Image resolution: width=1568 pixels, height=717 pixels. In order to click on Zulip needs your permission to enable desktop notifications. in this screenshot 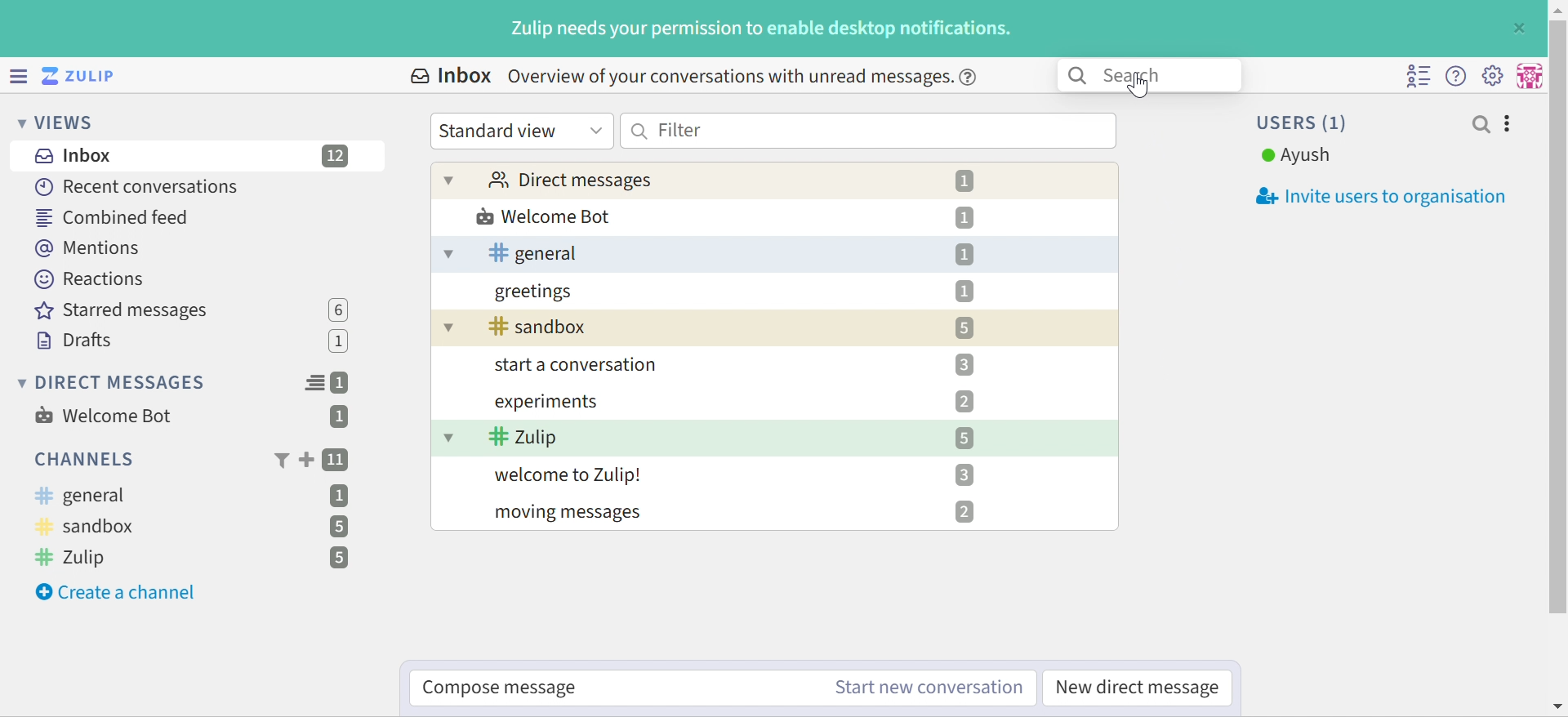, I will do `click(764, 29)`.